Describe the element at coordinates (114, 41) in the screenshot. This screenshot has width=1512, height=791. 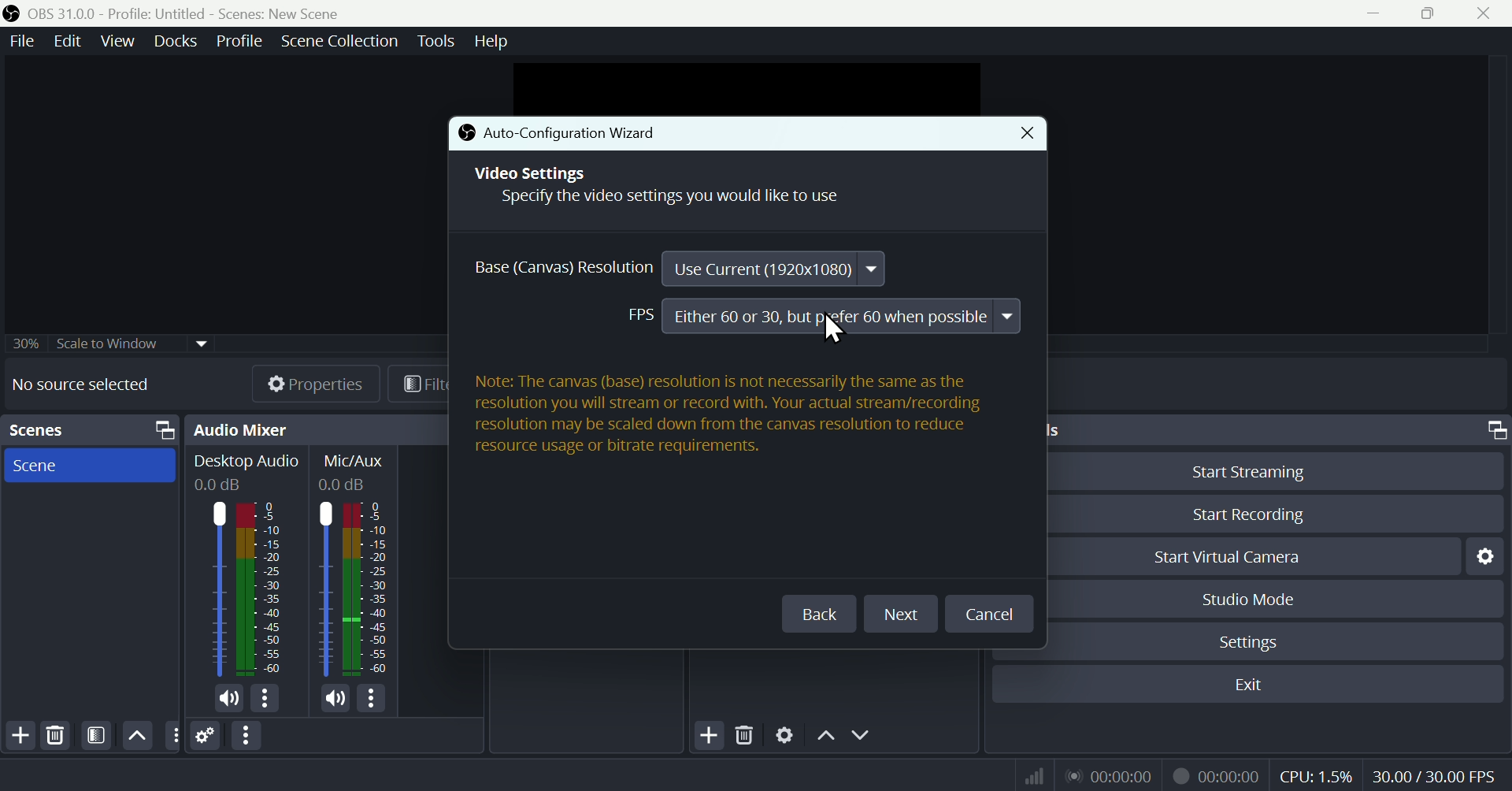
I see `View` at that location.